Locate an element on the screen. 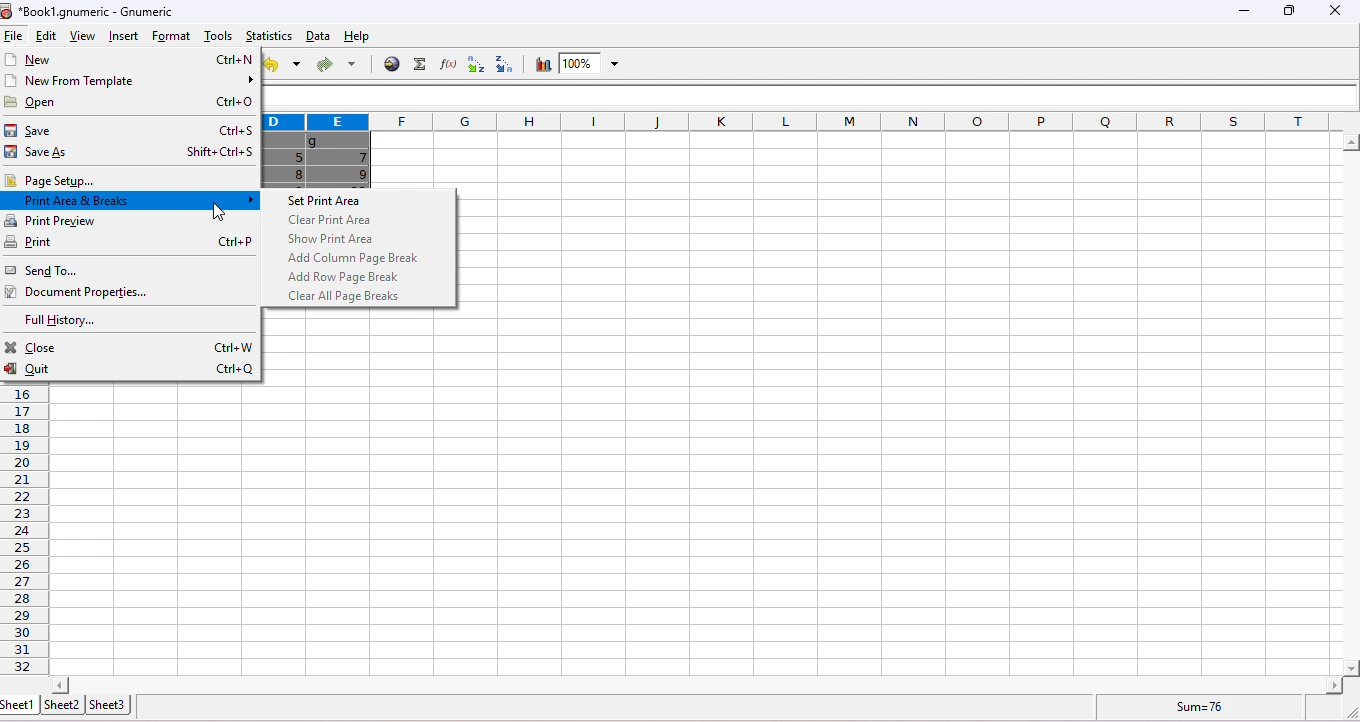  cursor movement is located at coordinates (218, 211).